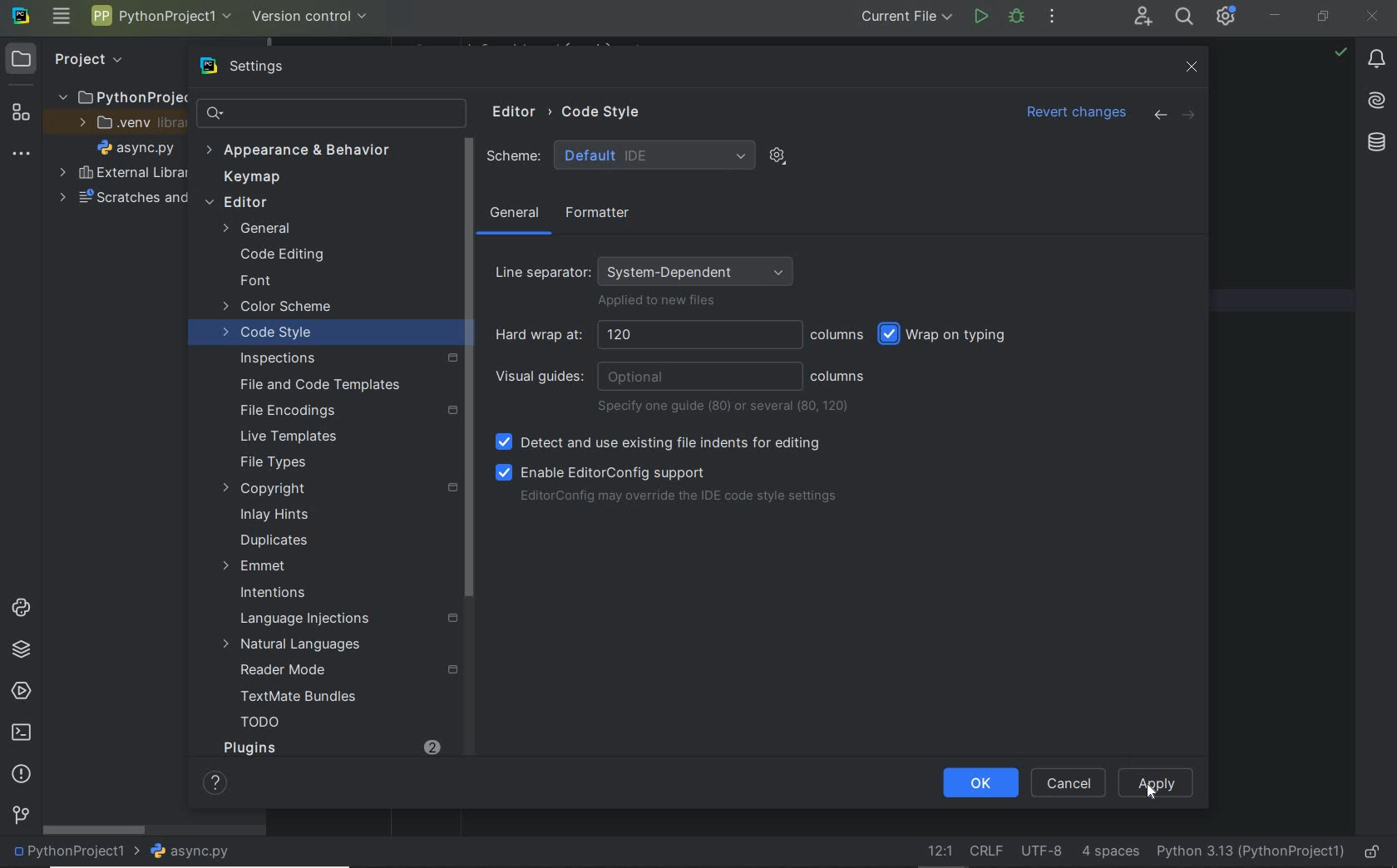 The image size is (1397, 868). Describe the element at coordinates (335, 491) in the screenshot. I see `copyright` at that location.